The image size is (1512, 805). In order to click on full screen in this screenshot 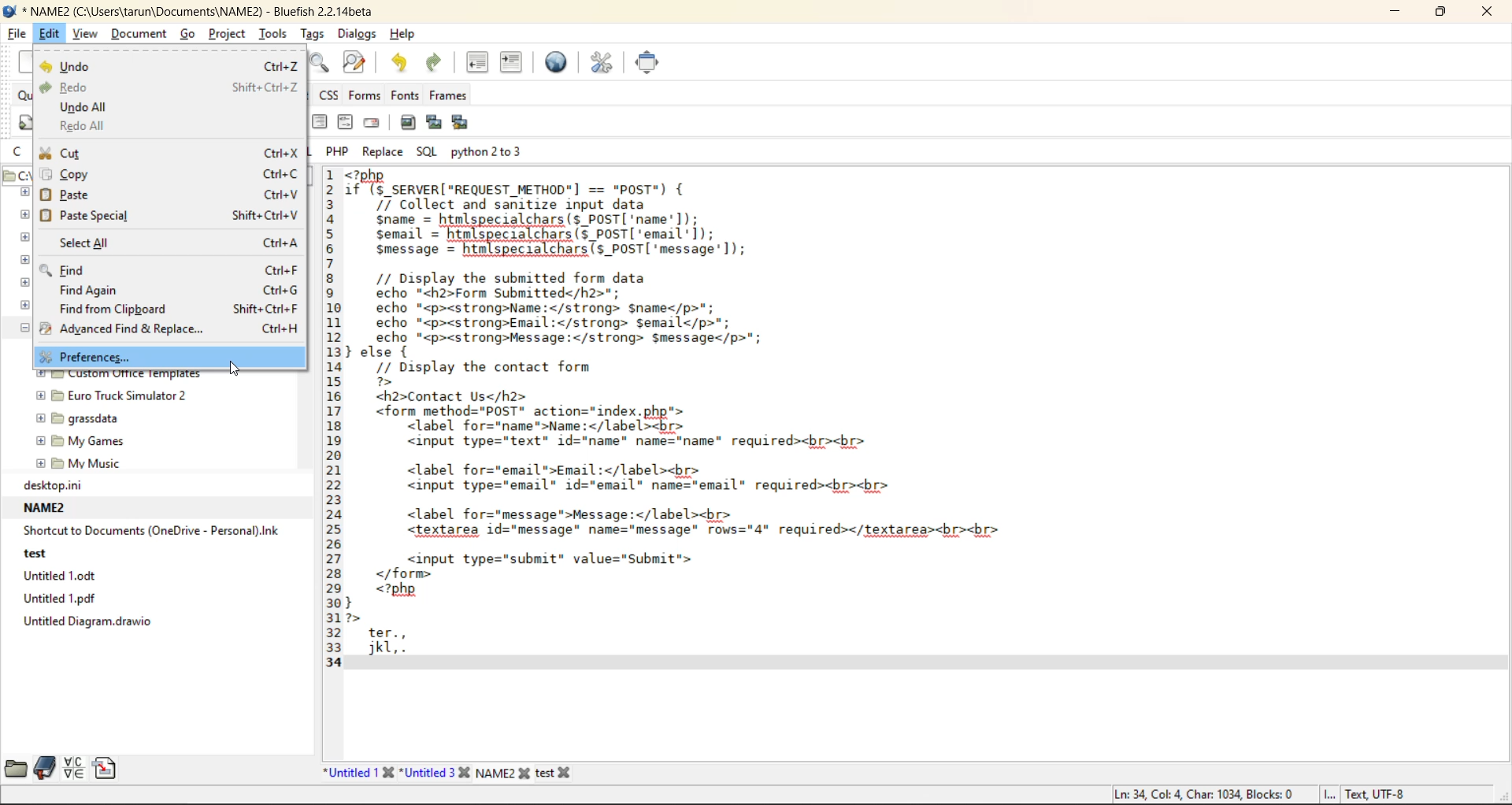, I will do `click(648, 65)`.